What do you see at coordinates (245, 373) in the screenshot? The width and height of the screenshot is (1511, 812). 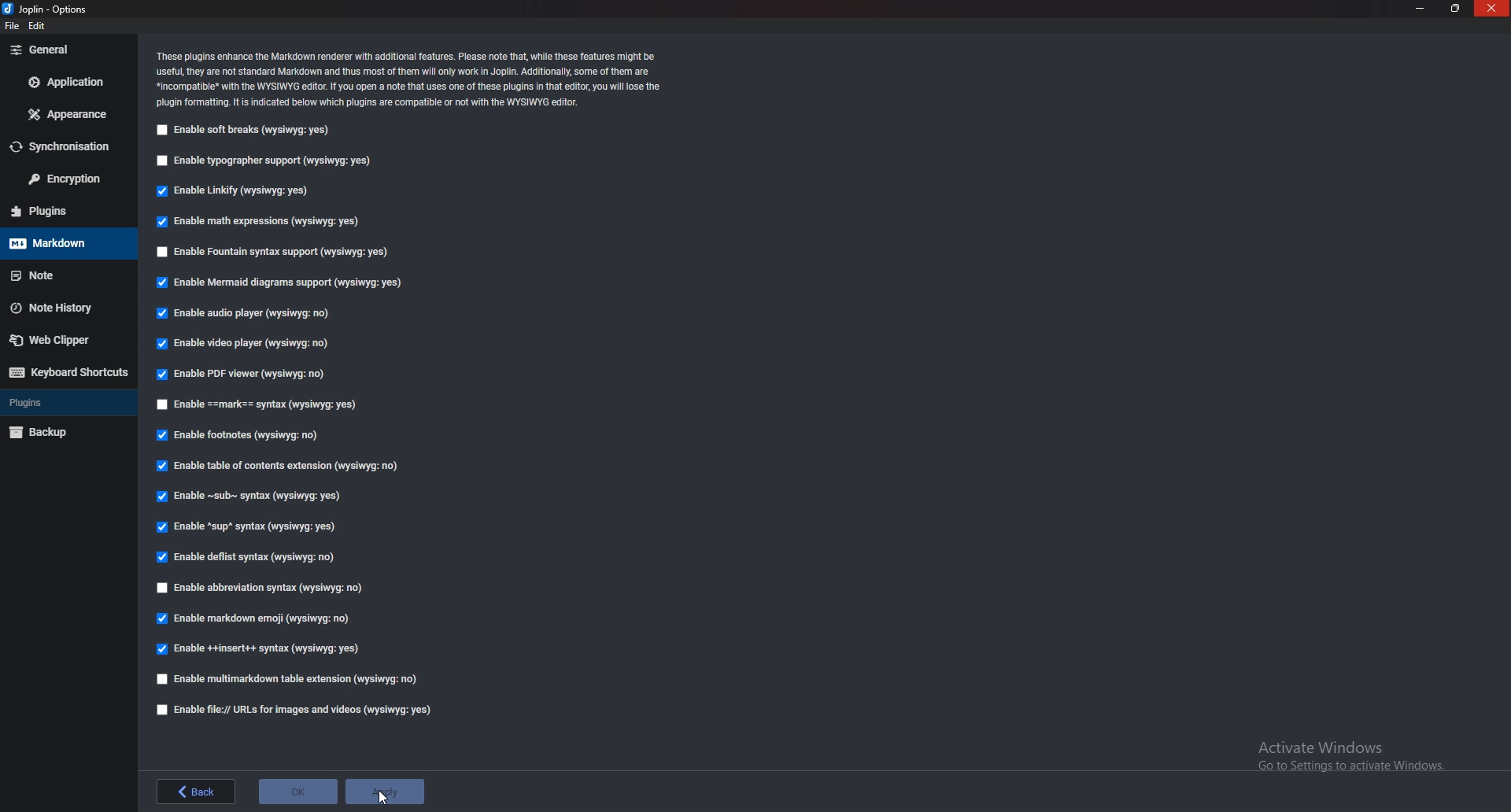 I see `Enable P D F viewer` at bounding box center [245, 373].